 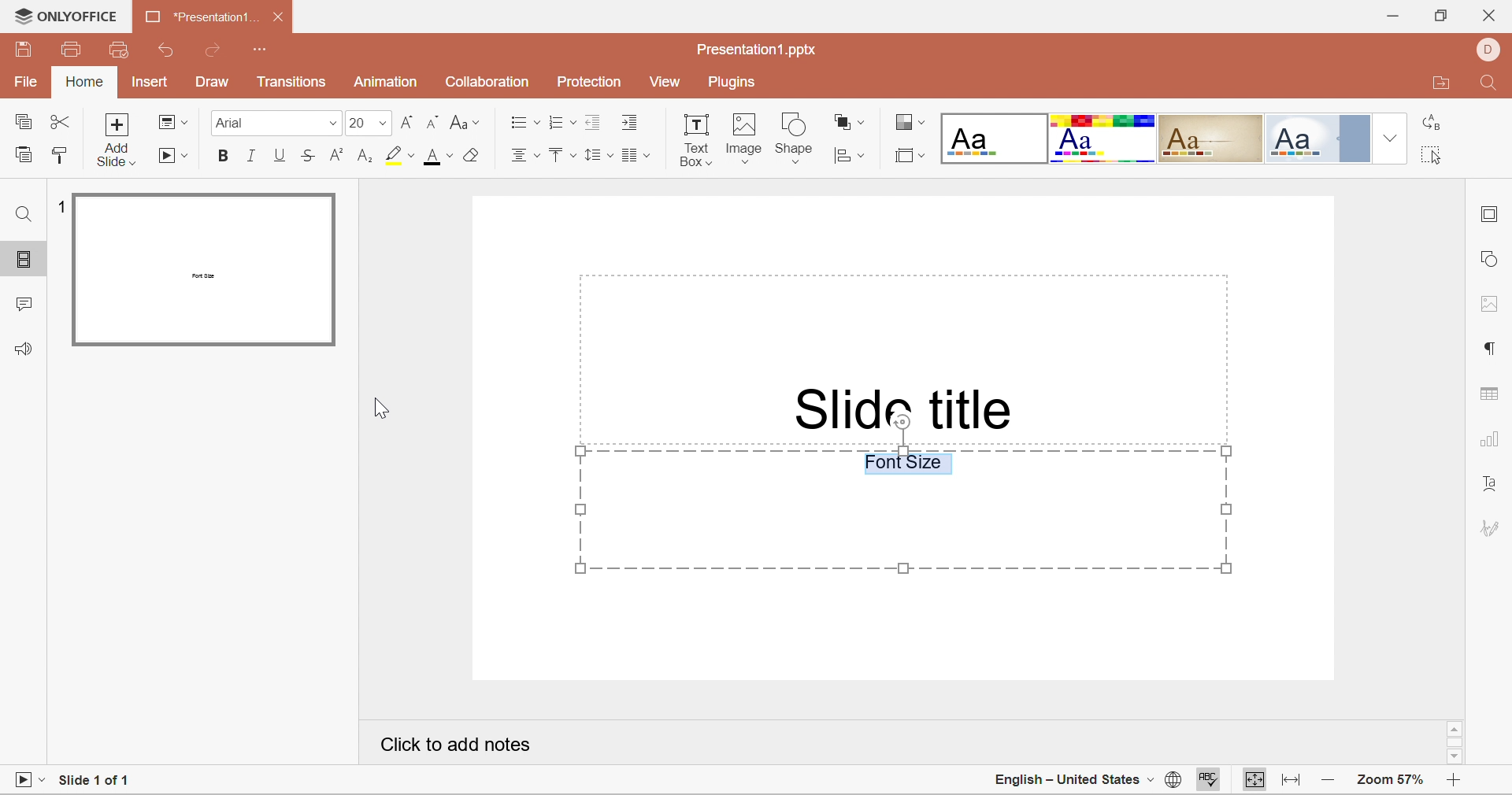 I want to click on Merge and center, so click(x=635, y=157).